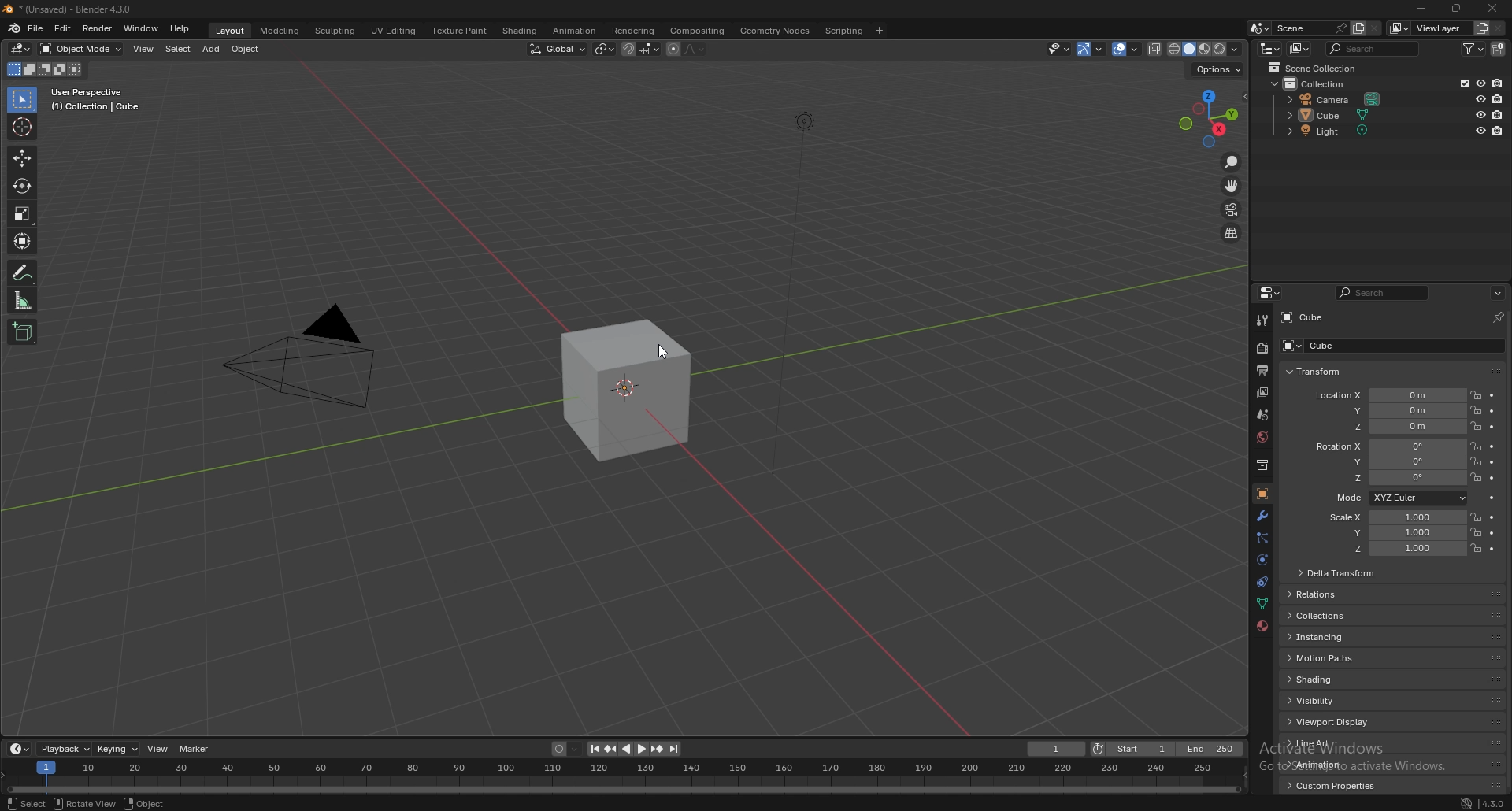 The height and width of the screenshot is (811, 1512). What do you see at coordinates (66, 749) in the screenshot?
I see `playback` at bounding box center [66, 749].